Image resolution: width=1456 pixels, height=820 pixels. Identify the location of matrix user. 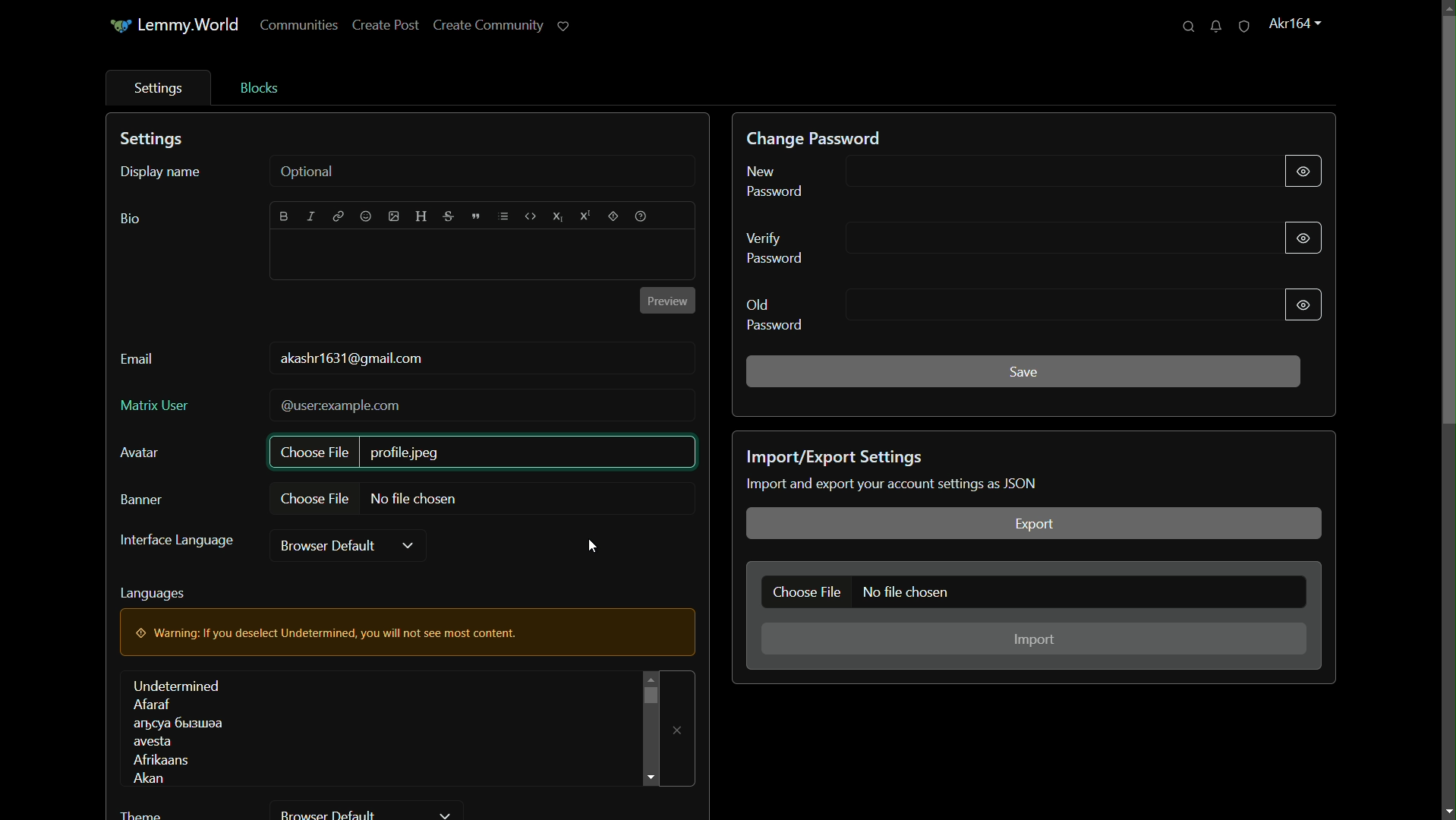
(153, 404).